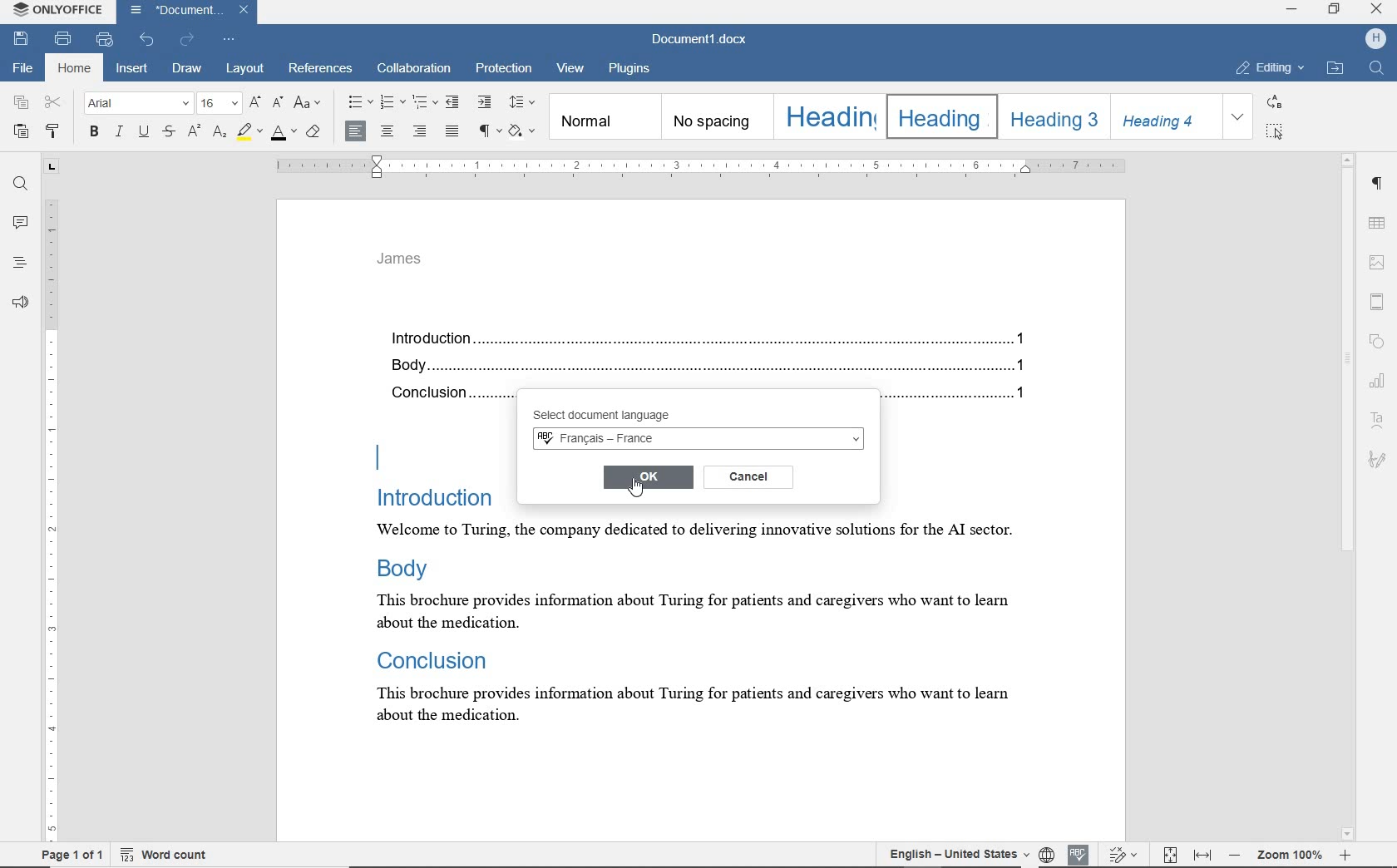 The height and width of the screenshot is (868, 1397). Describe the element at coordinates (249, 132) in the screenshot. I see `highlight color` at that location.